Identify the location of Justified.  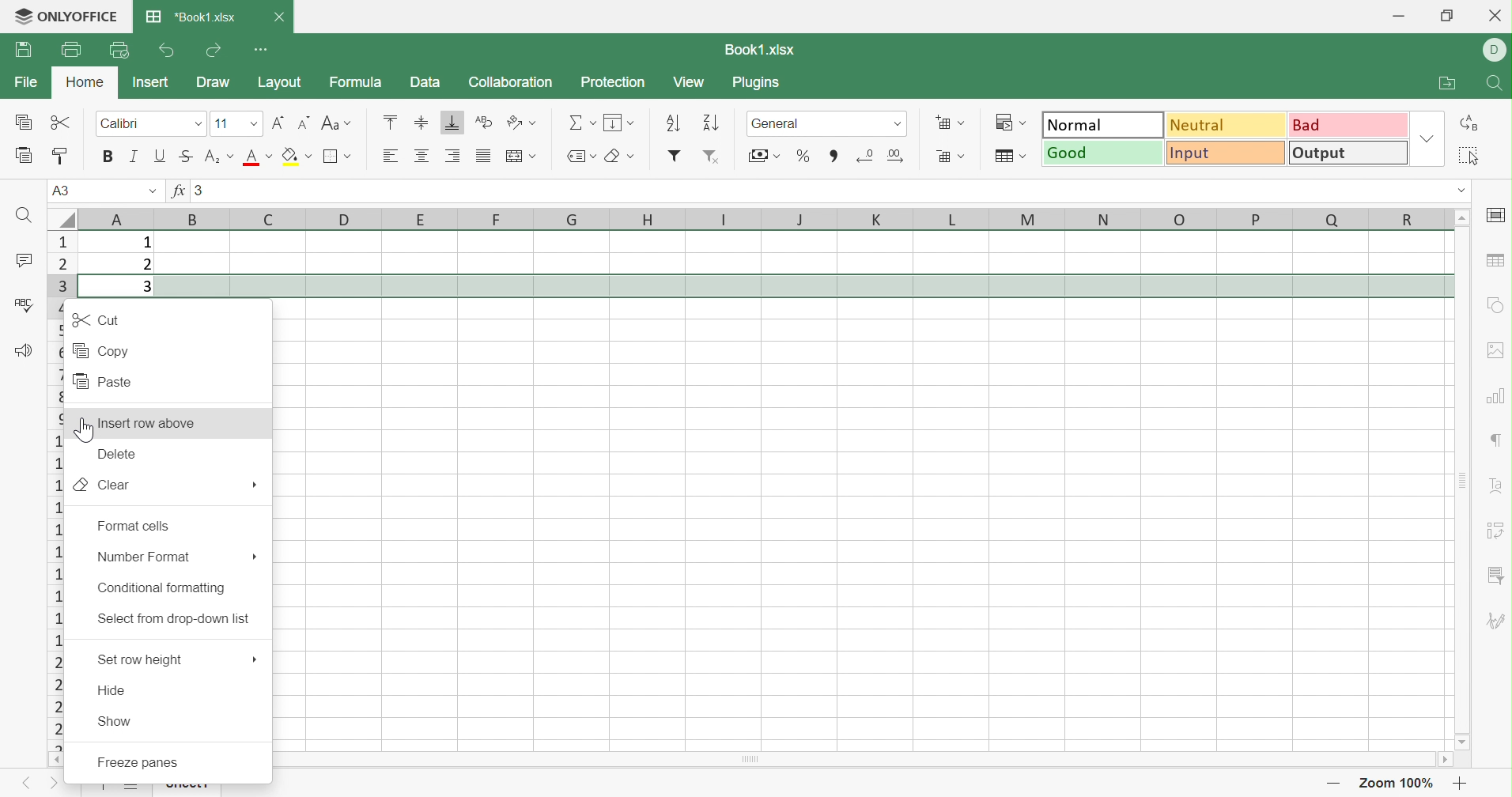
(483, 157).